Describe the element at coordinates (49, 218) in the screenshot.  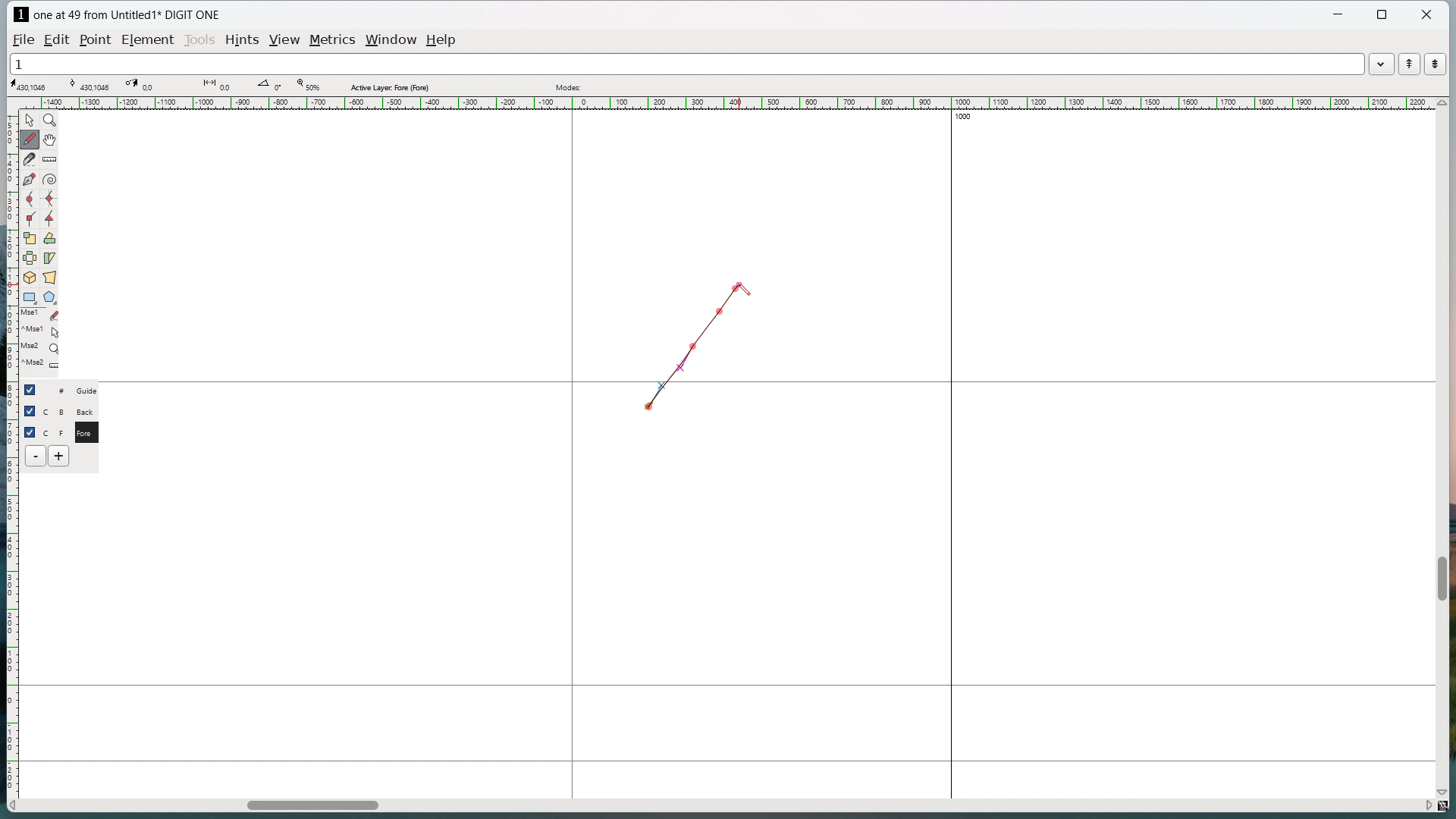
I see `add a tangent point` at that location.